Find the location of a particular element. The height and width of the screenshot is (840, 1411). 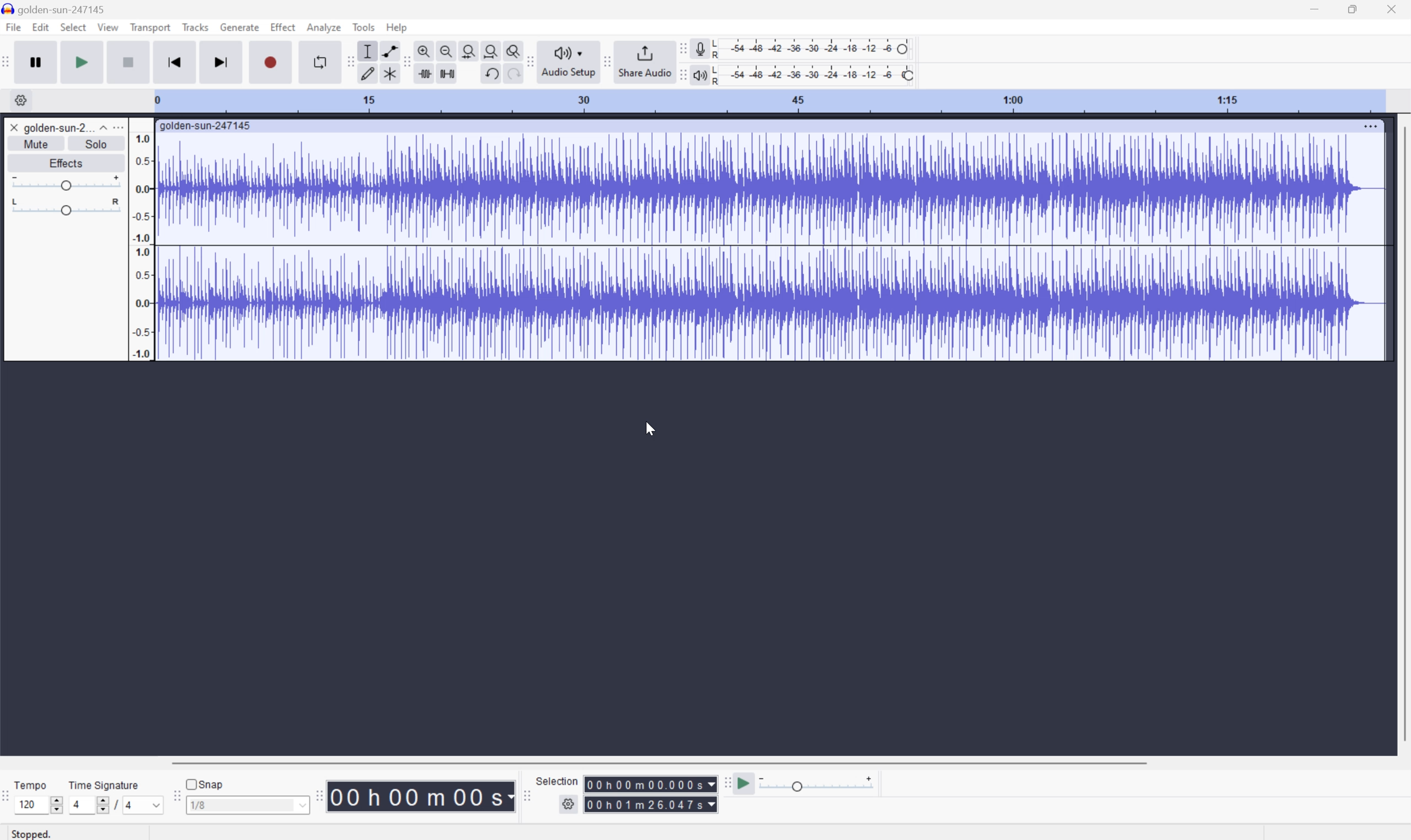

View is located at coordinates (109, 27).